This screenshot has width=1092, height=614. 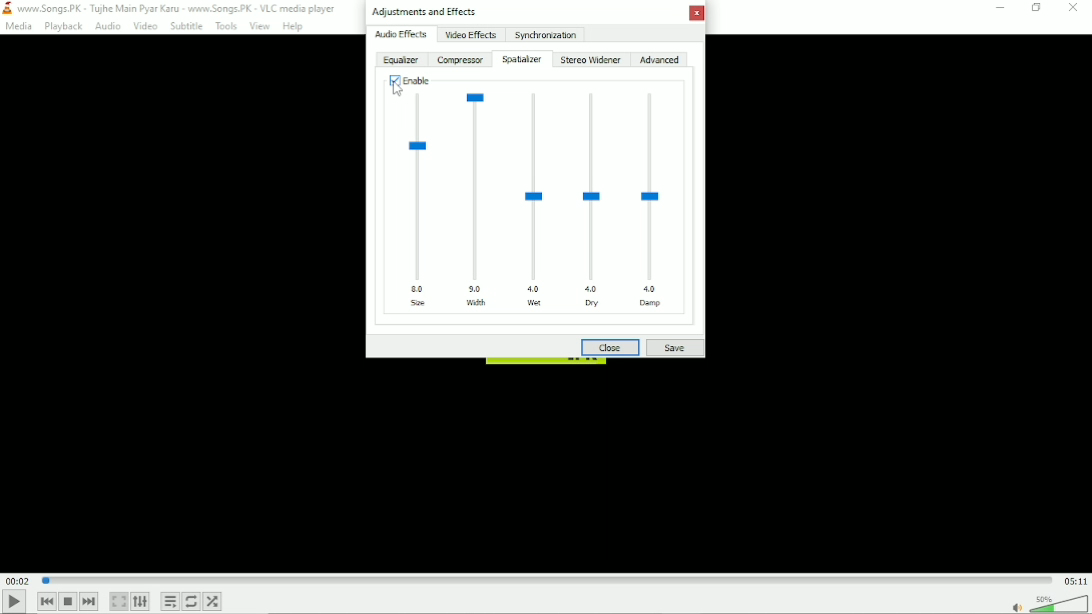 I want to click on Toggle video in fullscreen, so click(x=119, y=602).